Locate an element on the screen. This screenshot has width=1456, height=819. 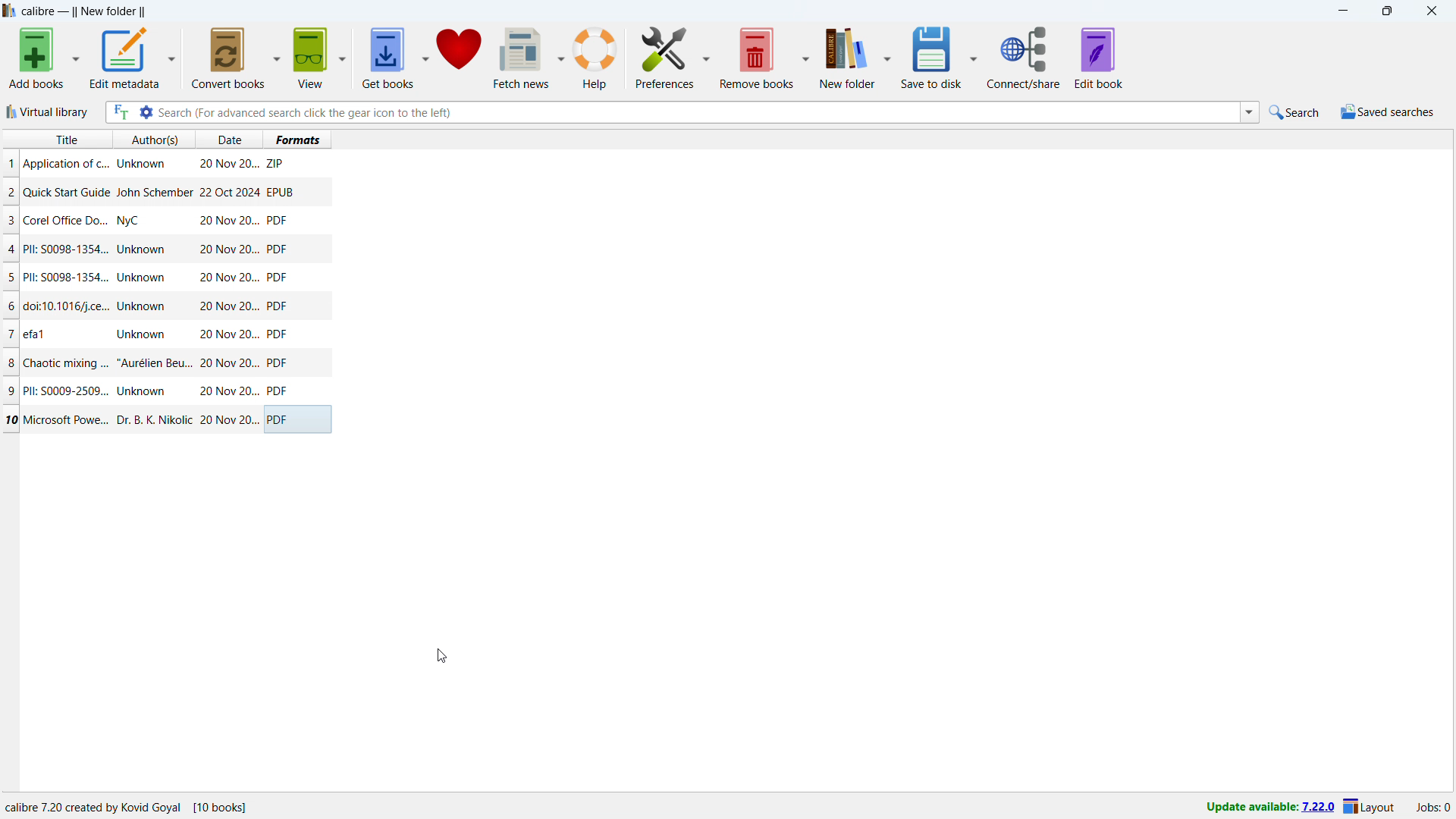
Microsoft Powe... is located at coordinates (66, 419).